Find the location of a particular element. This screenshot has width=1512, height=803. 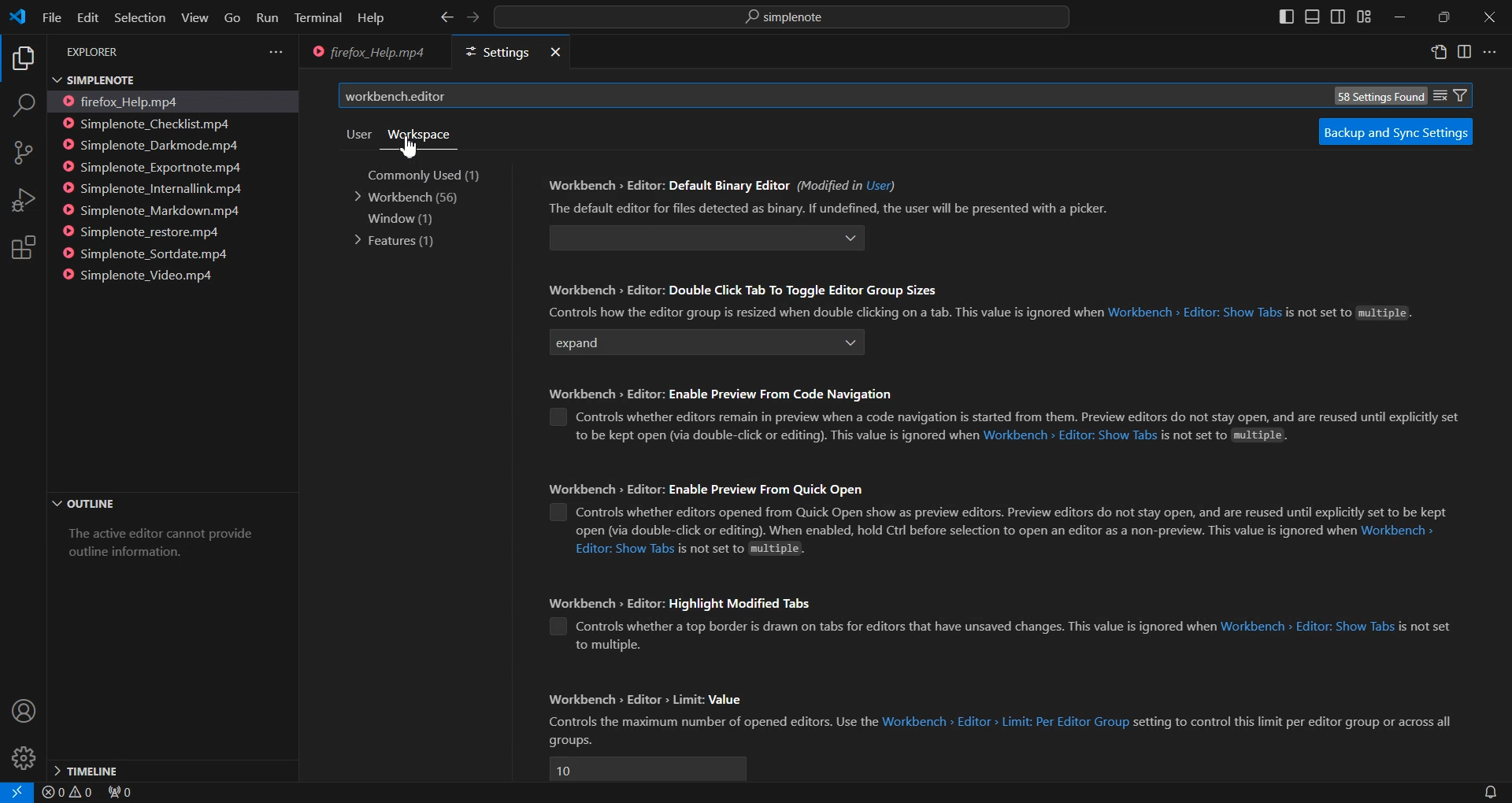

Enable button for preview code navigation is located at coordinates (558, 416).